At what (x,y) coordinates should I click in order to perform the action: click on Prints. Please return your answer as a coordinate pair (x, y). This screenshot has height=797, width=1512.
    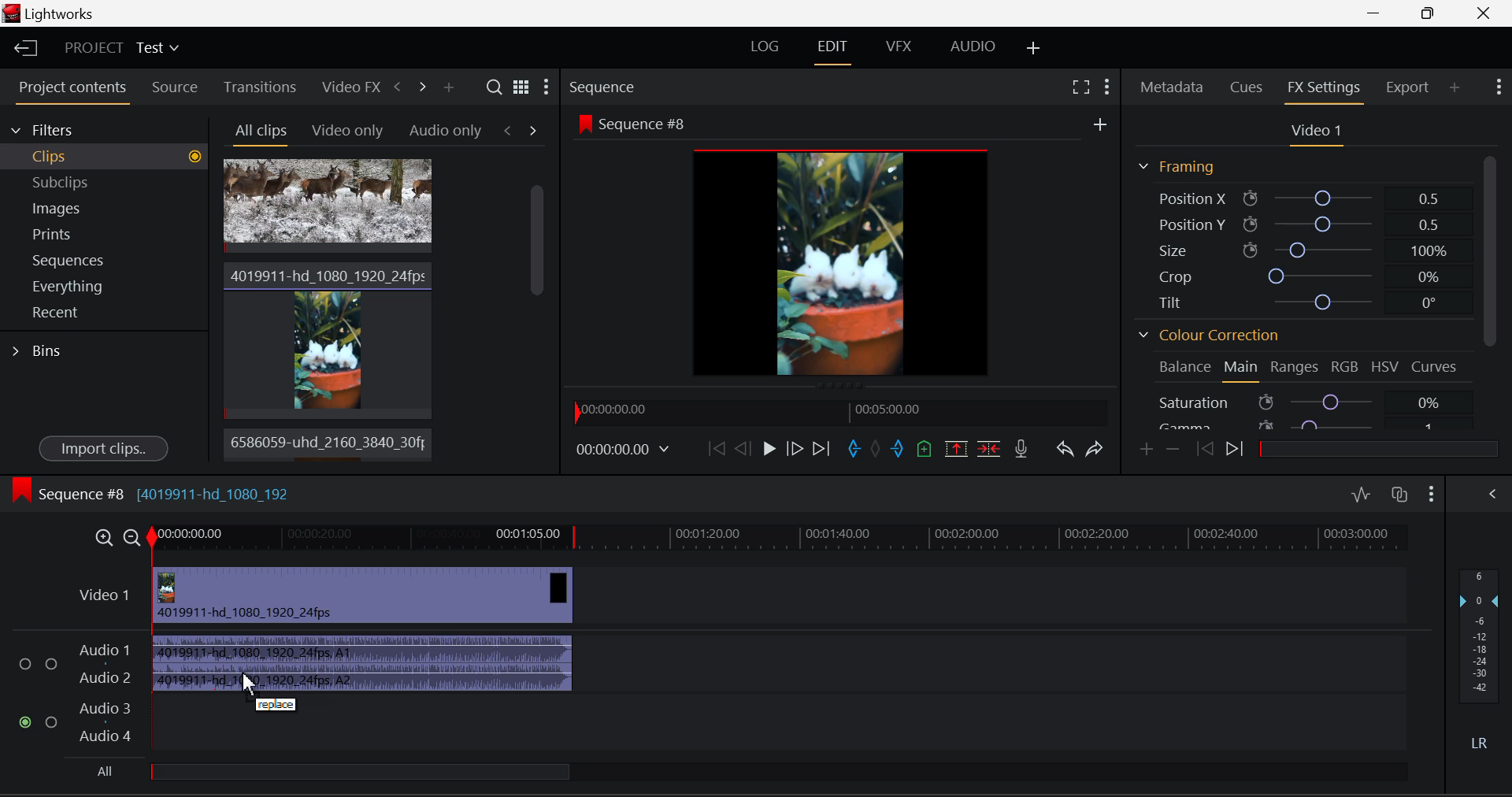
    Looking at the image, I should click on (105, 233).